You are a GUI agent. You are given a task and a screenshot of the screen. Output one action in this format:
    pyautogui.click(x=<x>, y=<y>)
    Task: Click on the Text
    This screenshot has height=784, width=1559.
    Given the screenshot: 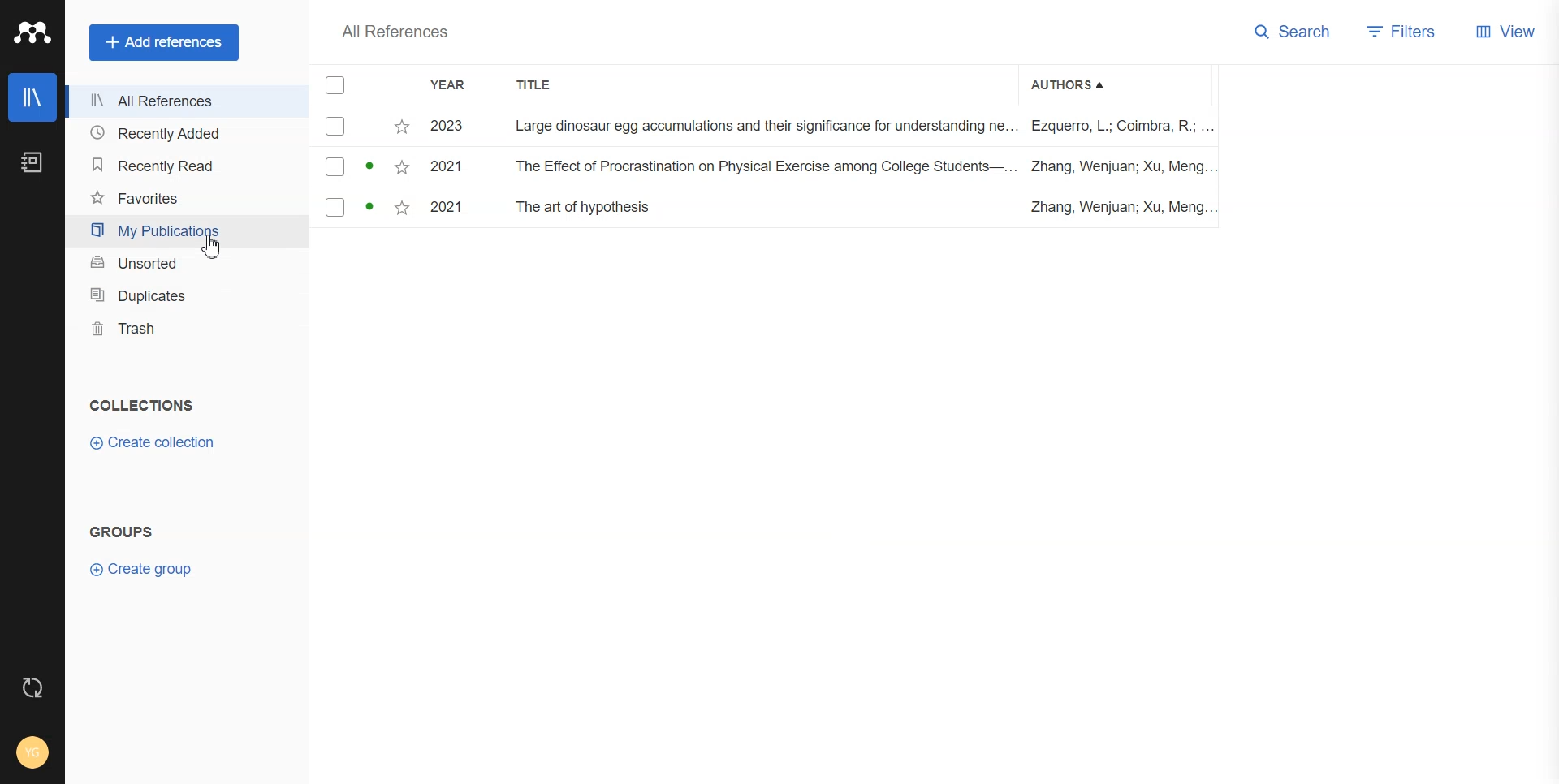 What is the action you would take?
    pyautogui.click(x=142, y=404)
    